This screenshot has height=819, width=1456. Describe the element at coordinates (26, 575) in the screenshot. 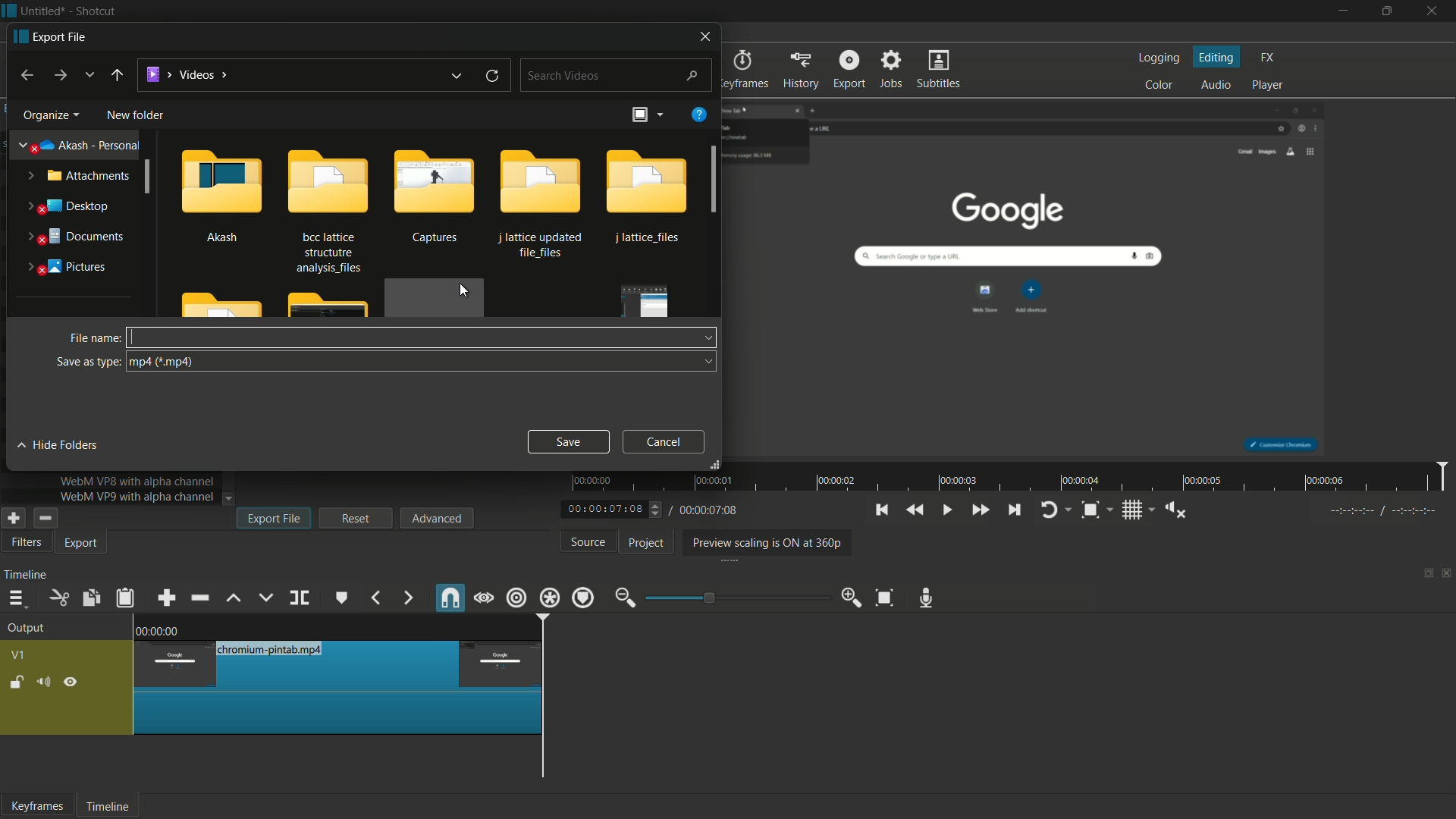

I see `timeline` at that location.